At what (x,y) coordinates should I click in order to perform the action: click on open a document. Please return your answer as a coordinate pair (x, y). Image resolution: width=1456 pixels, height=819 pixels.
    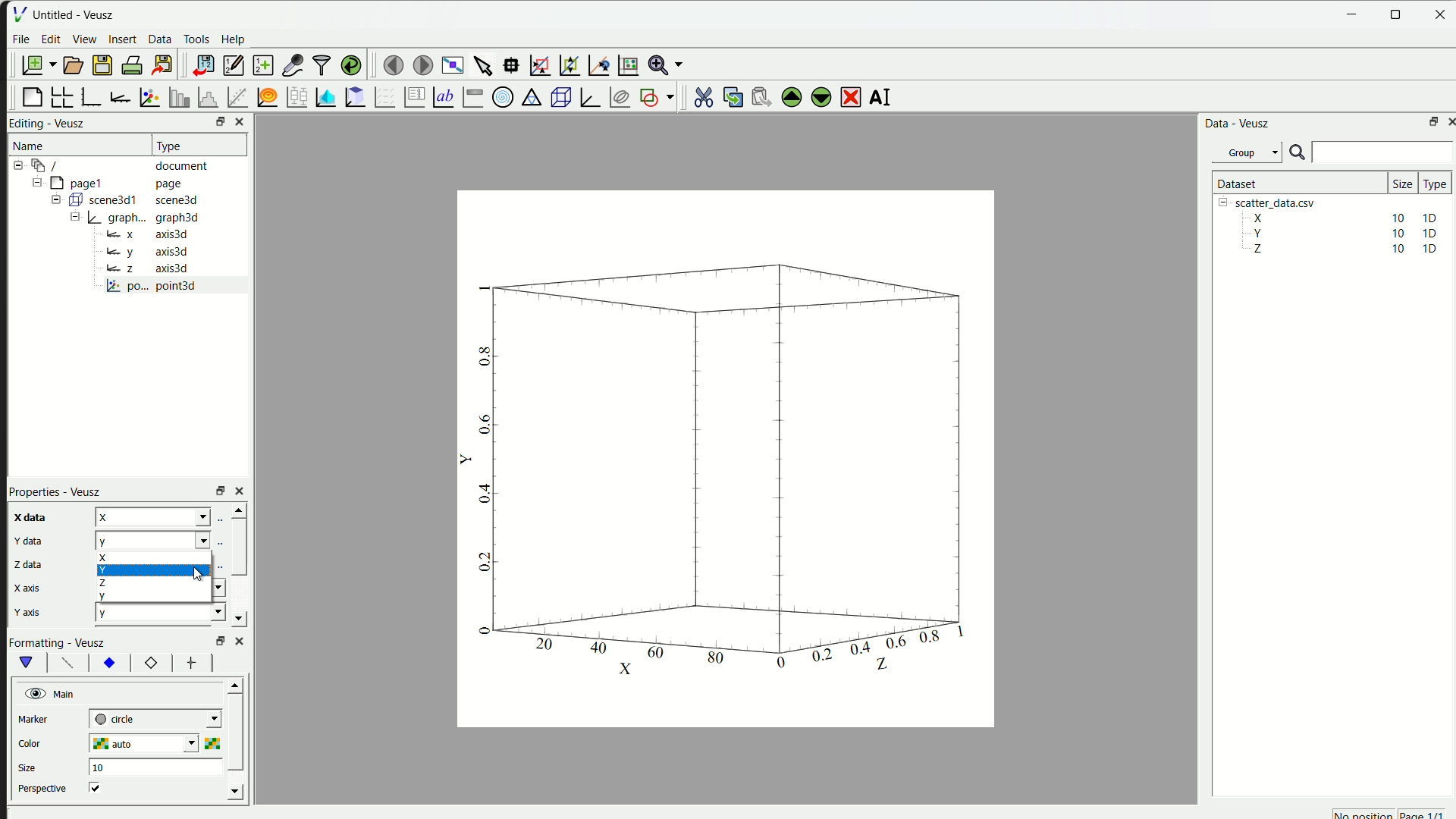
    Looking at the image, I should click on (72, 64).